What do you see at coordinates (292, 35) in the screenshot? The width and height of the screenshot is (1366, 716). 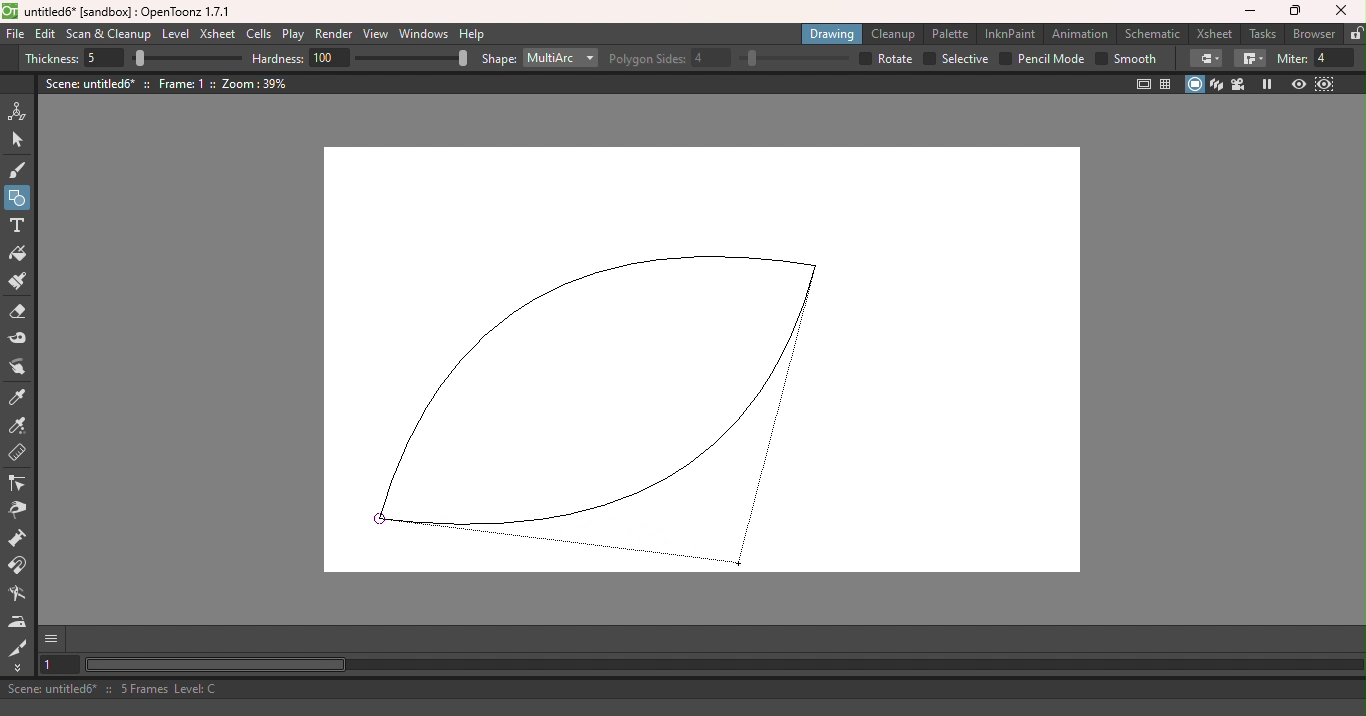 I see `Play` at bounding box center [292, 35].